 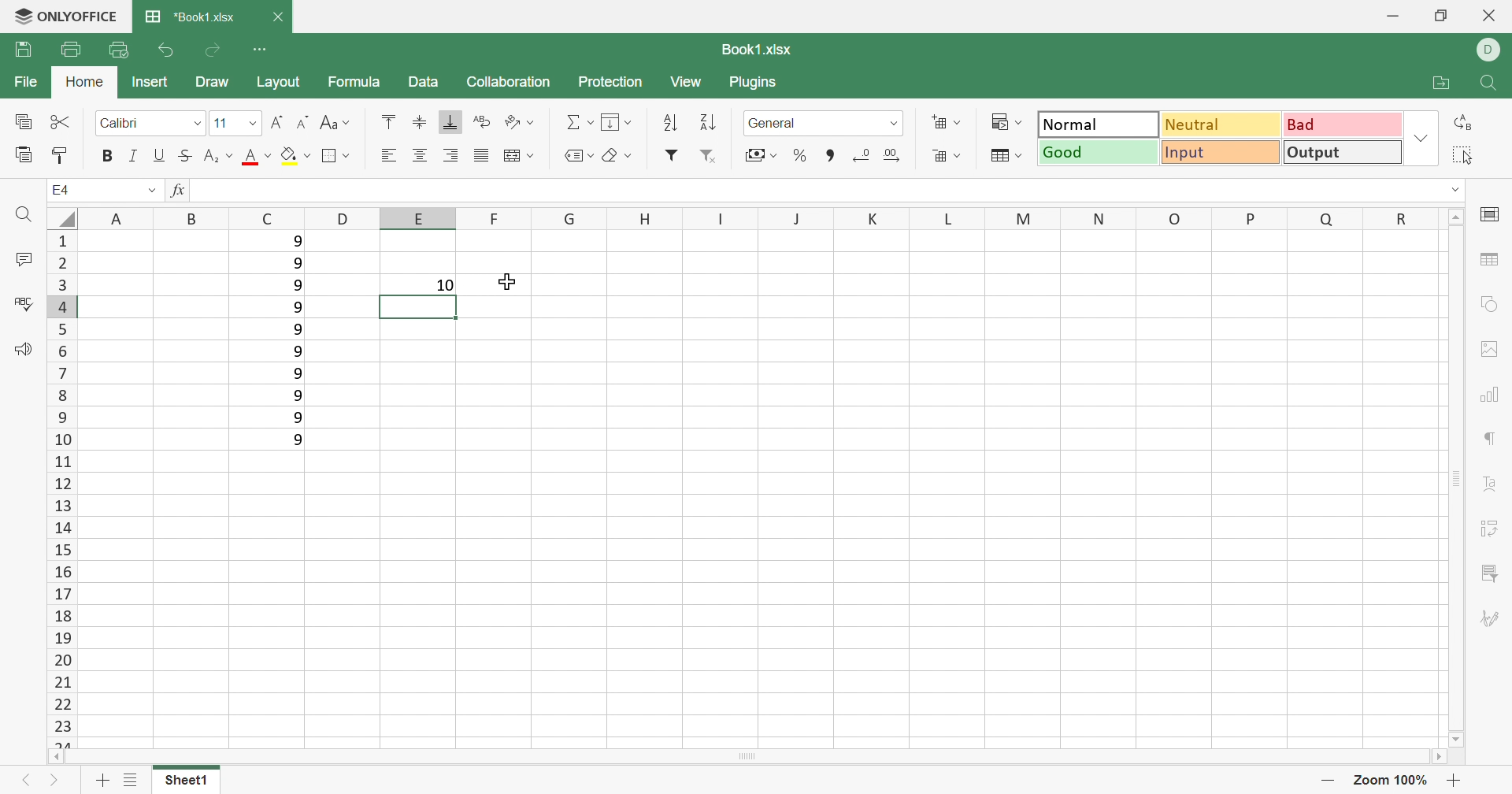 What do you see at coordinates (187, 17) in the screenshot?
I see `*Book1.xlsx` at bounding box center [187, 17].